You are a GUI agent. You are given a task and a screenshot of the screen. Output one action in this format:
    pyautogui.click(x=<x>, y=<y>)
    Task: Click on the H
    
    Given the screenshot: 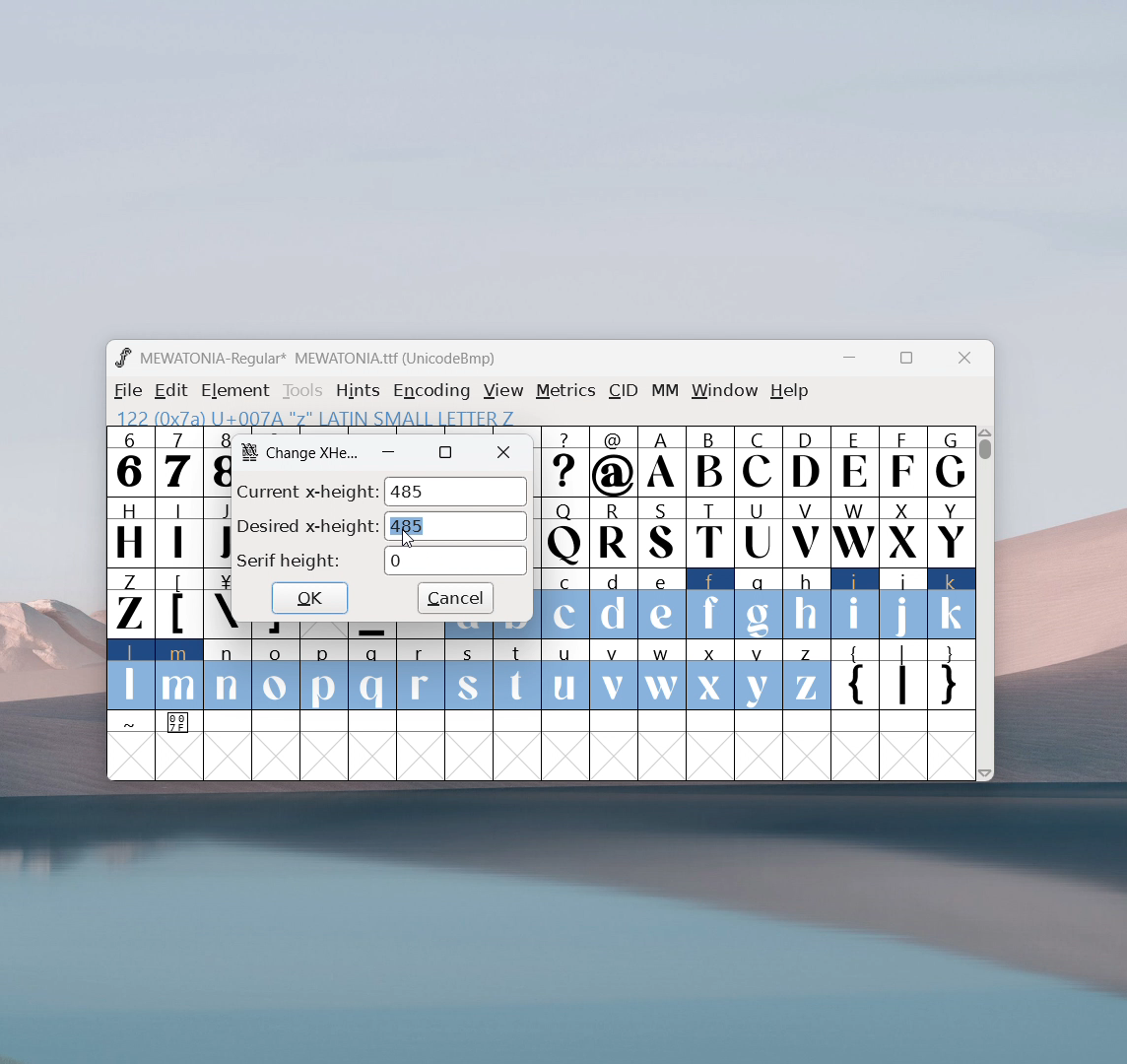 What is the action you would take?
    pyautogui.click(x=129, y=530)
    